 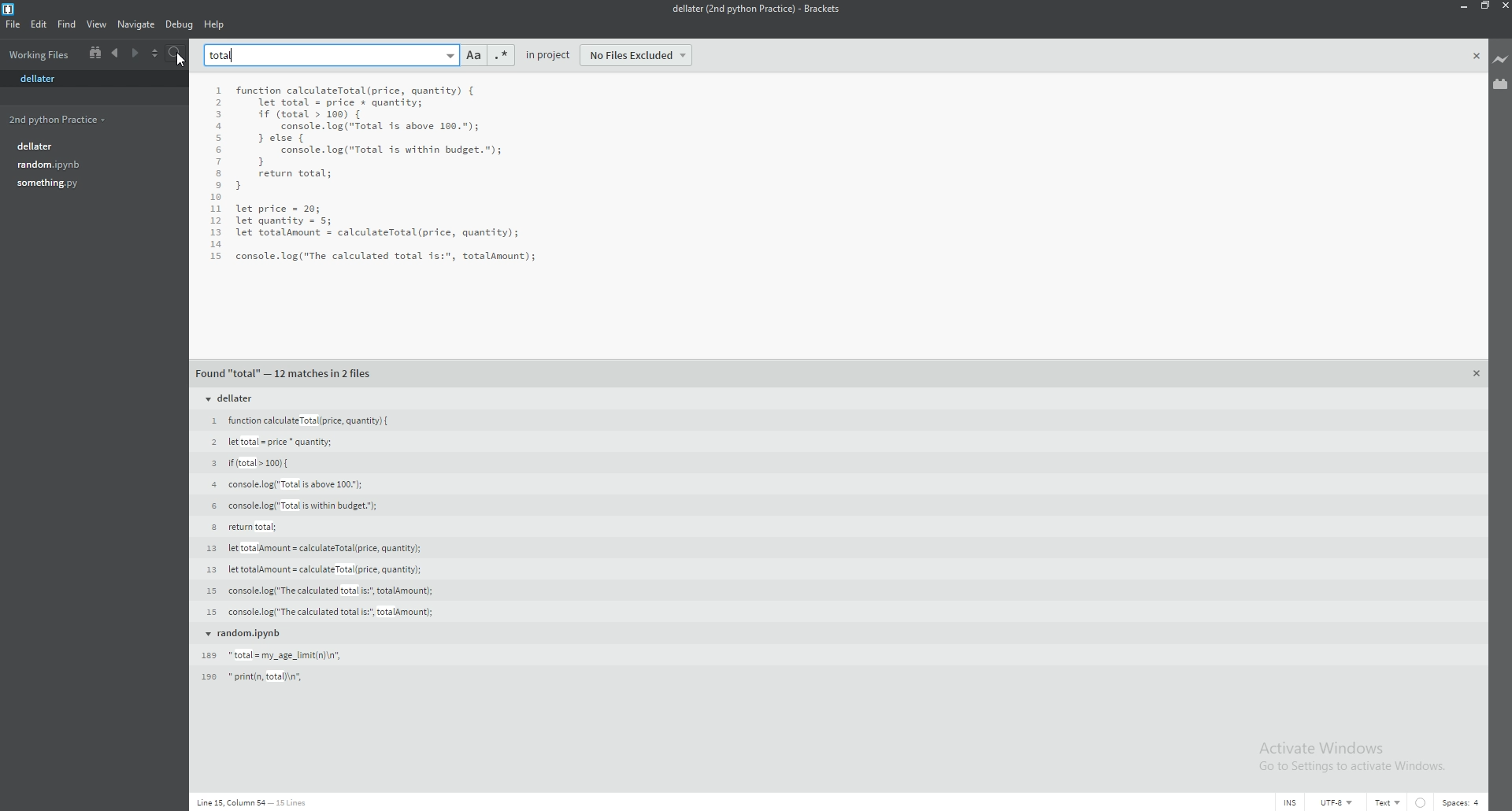 I want to click on file, so click(x=14, y=24).